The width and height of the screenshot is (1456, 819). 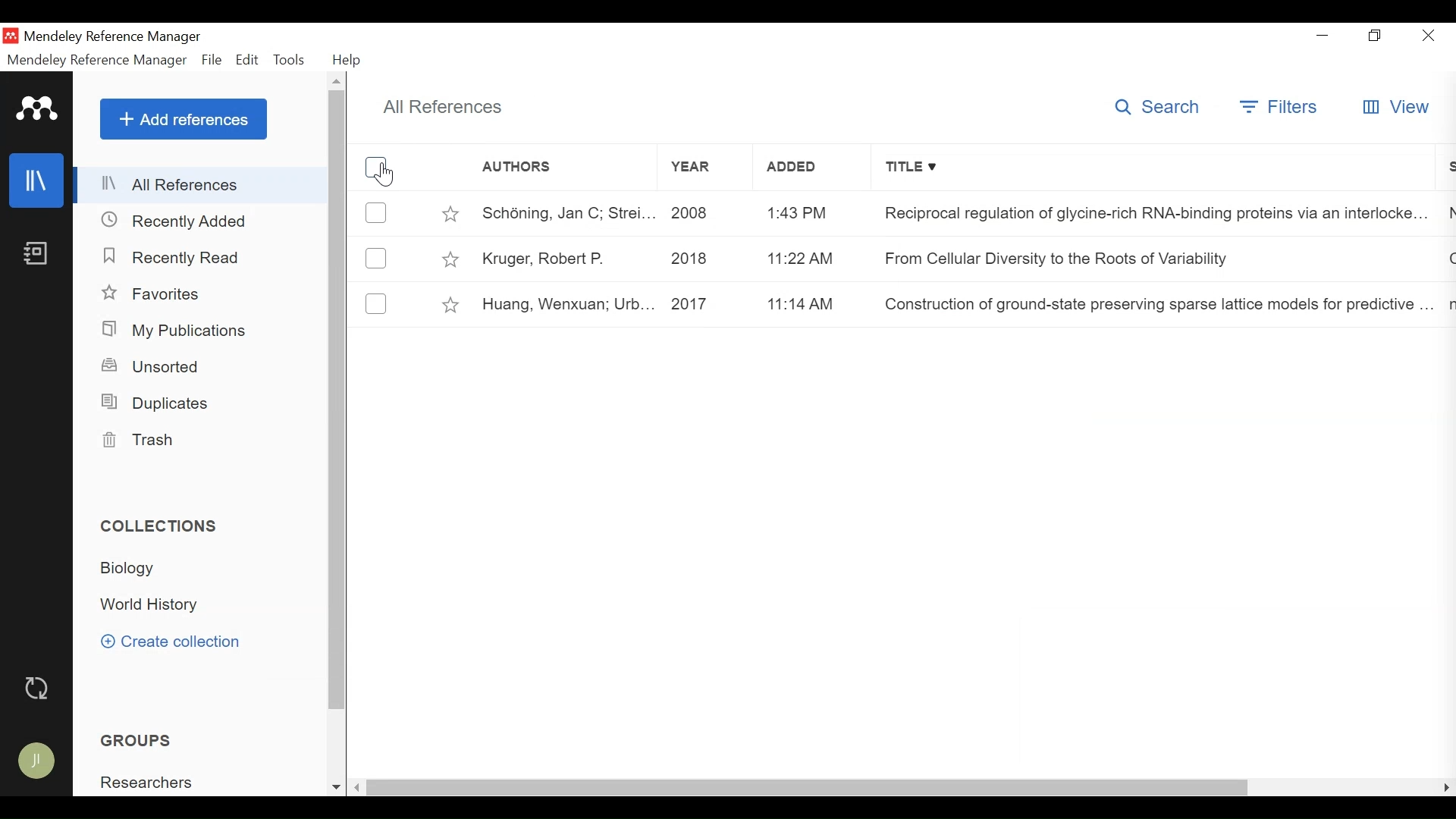 What do you see at coordinates (37, 689) in the screenshot?
I see `Sync` at bounding box center [37, 689].